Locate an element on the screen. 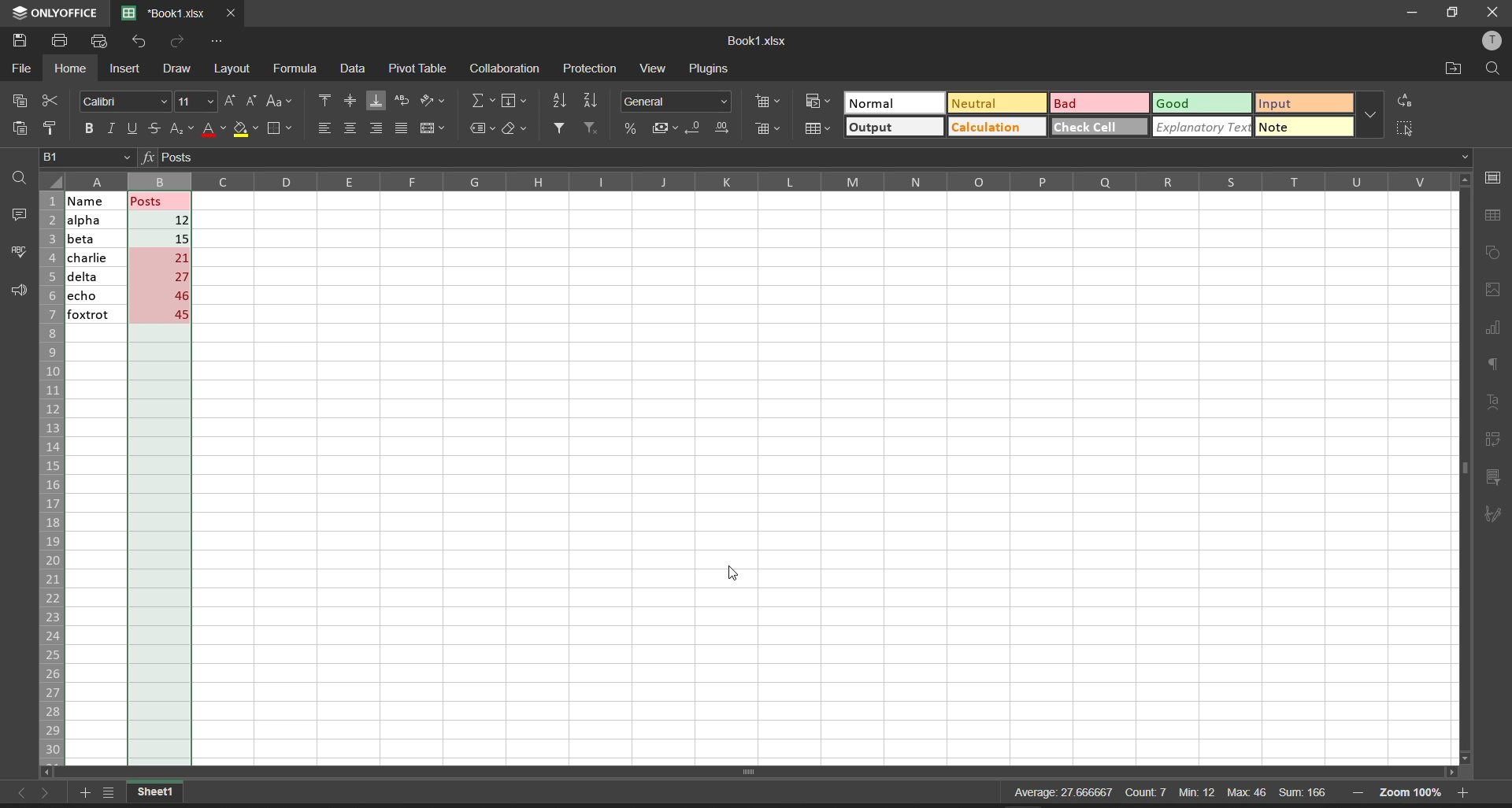  percent style is located at coordinates (630, 130).